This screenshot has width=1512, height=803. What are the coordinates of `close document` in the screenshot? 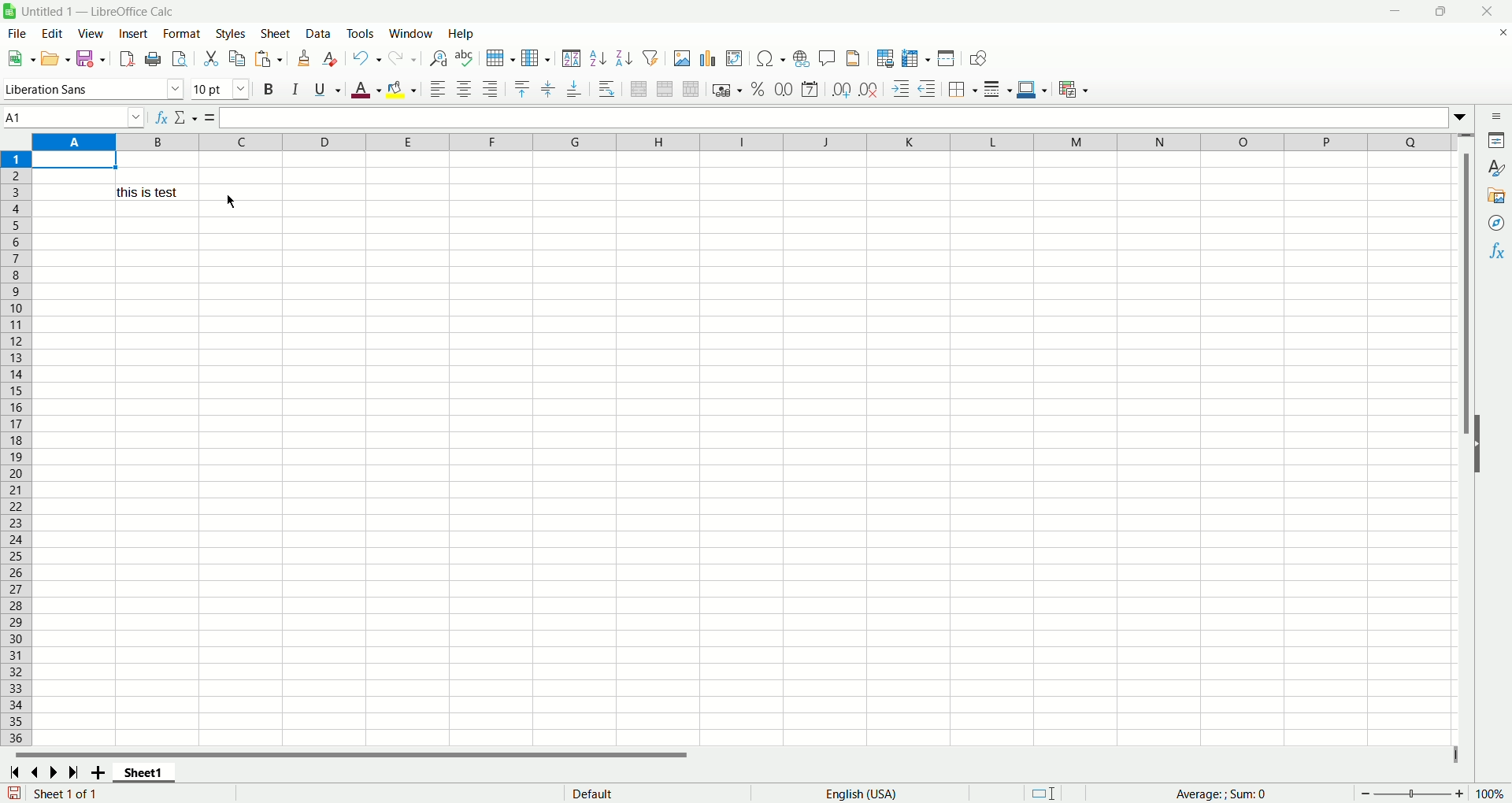 It's located at (1503, 35).